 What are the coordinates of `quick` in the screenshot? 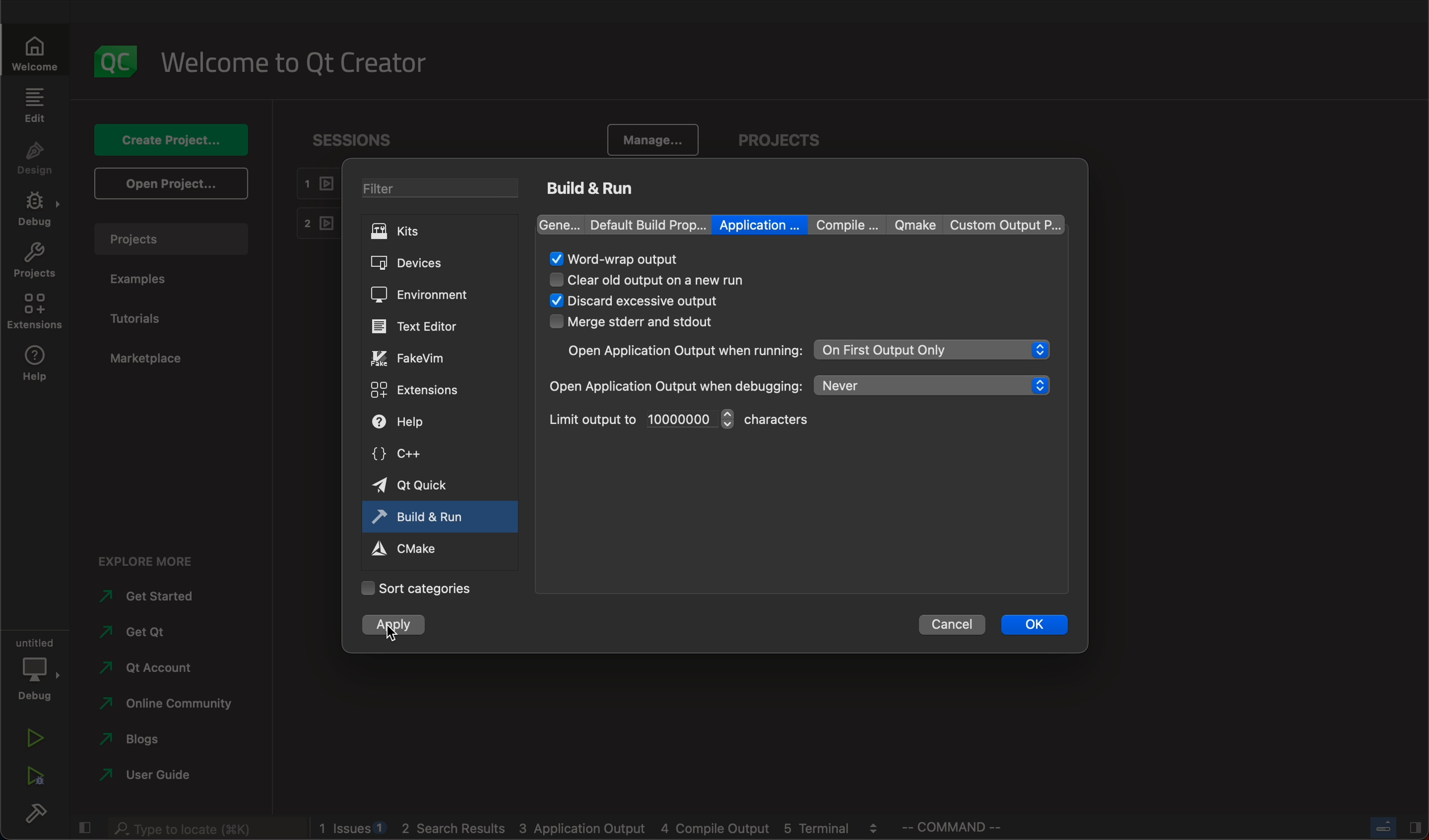 It's located at (425, 485).